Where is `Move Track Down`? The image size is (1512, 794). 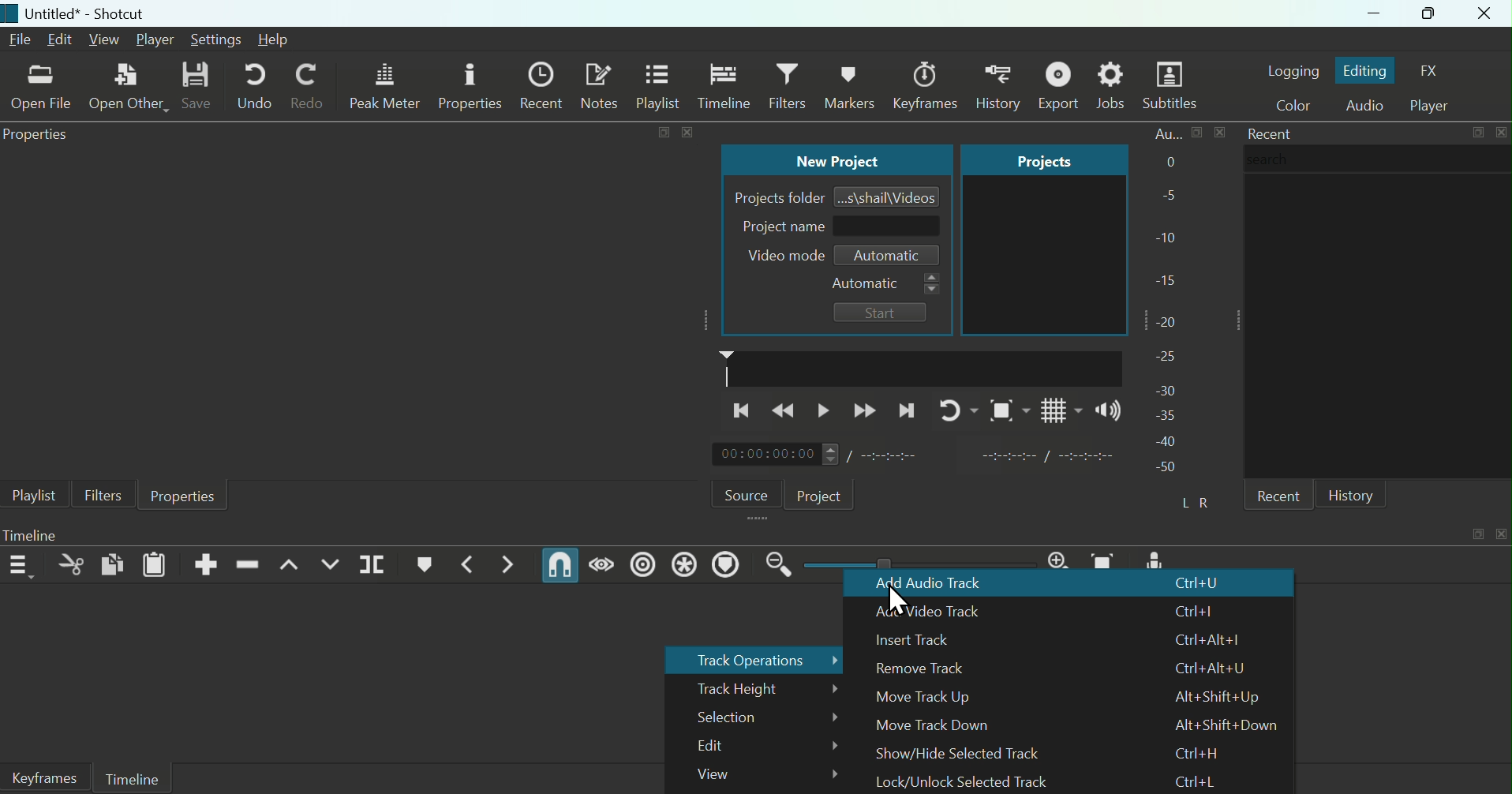
Move Track Down is located at coordinates (937, 726).